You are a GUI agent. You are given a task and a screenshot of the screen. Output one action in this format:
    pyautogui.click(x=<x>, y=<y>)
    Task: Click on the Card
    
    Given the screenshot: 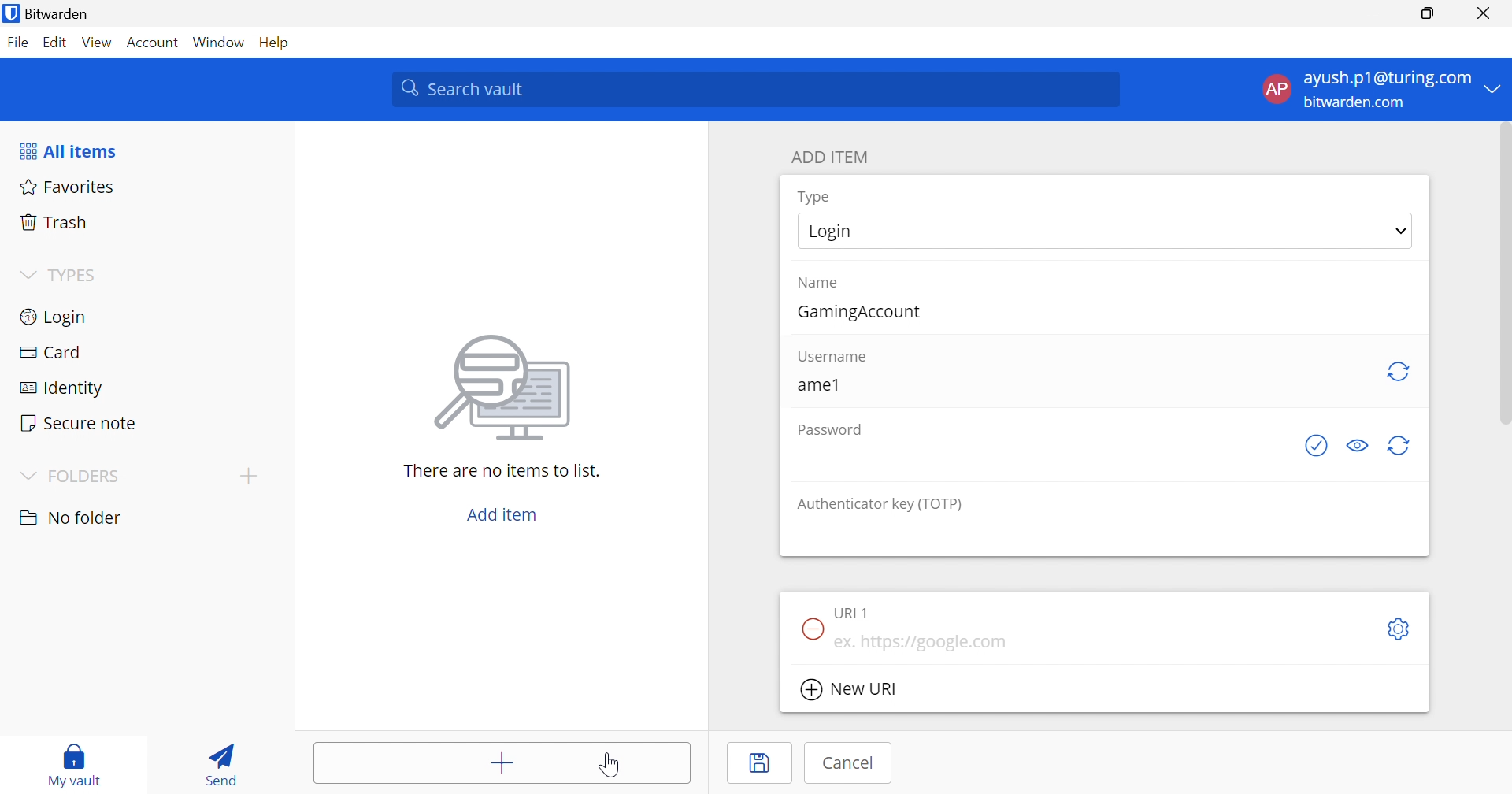 What is the action you would take?
    pyautogui.click(x=53, y=354)
    